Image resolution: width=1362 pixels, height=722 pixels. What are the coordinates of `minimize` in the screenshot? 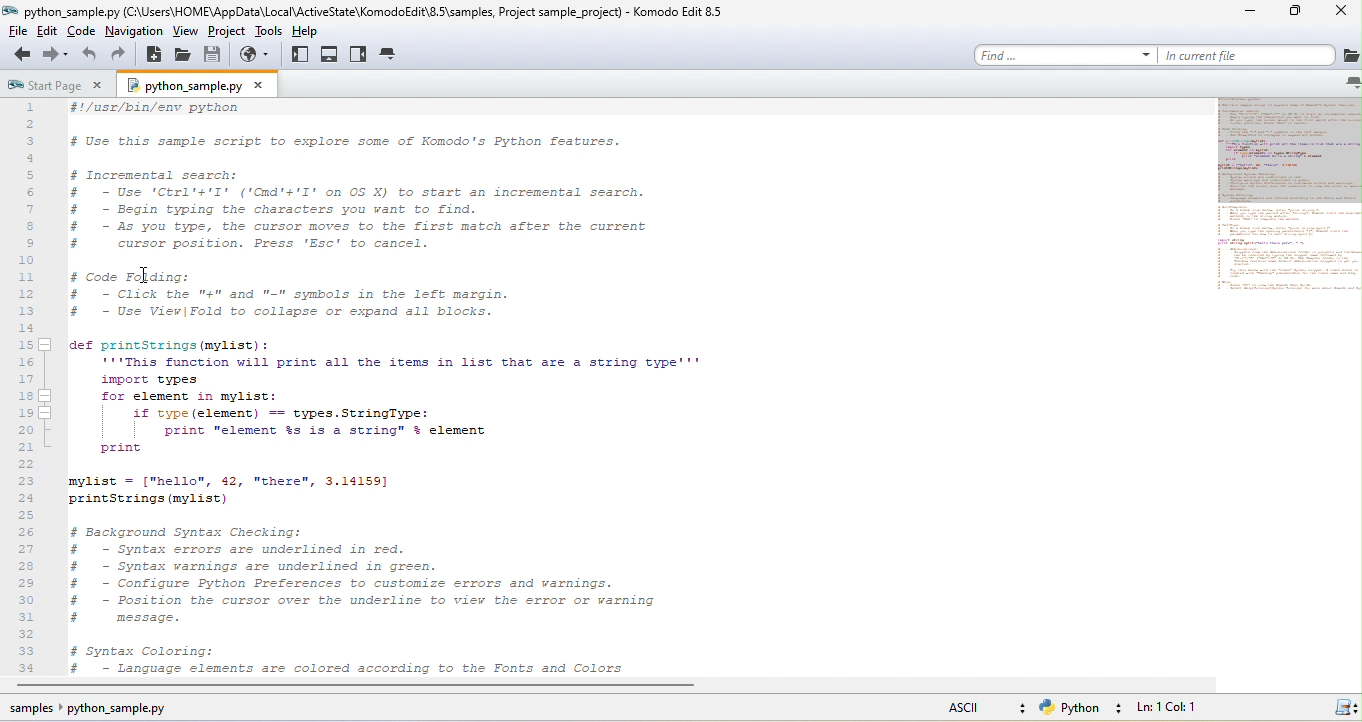 It's located at (1248, 12).